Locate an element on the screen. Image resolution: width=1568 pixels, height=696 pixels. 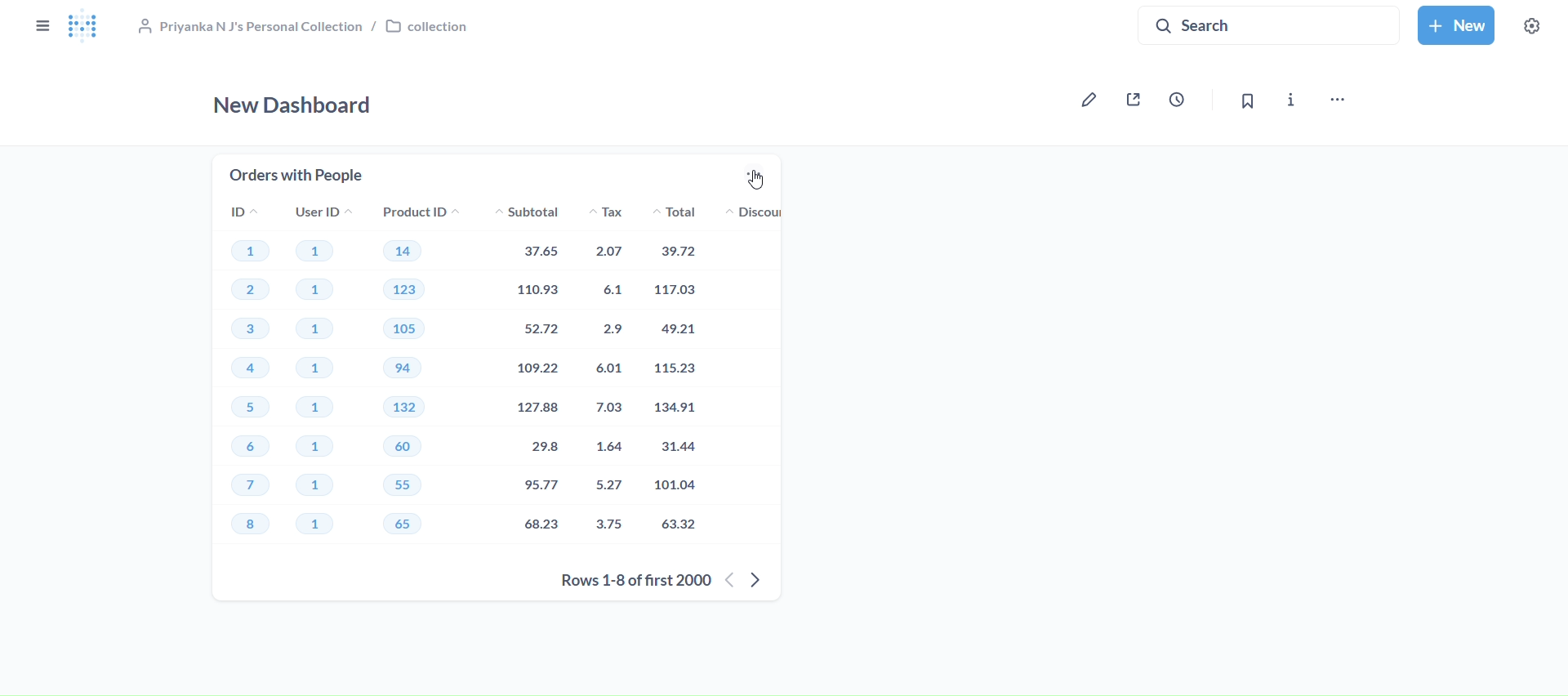
info is located at coordinates (1289, 100).